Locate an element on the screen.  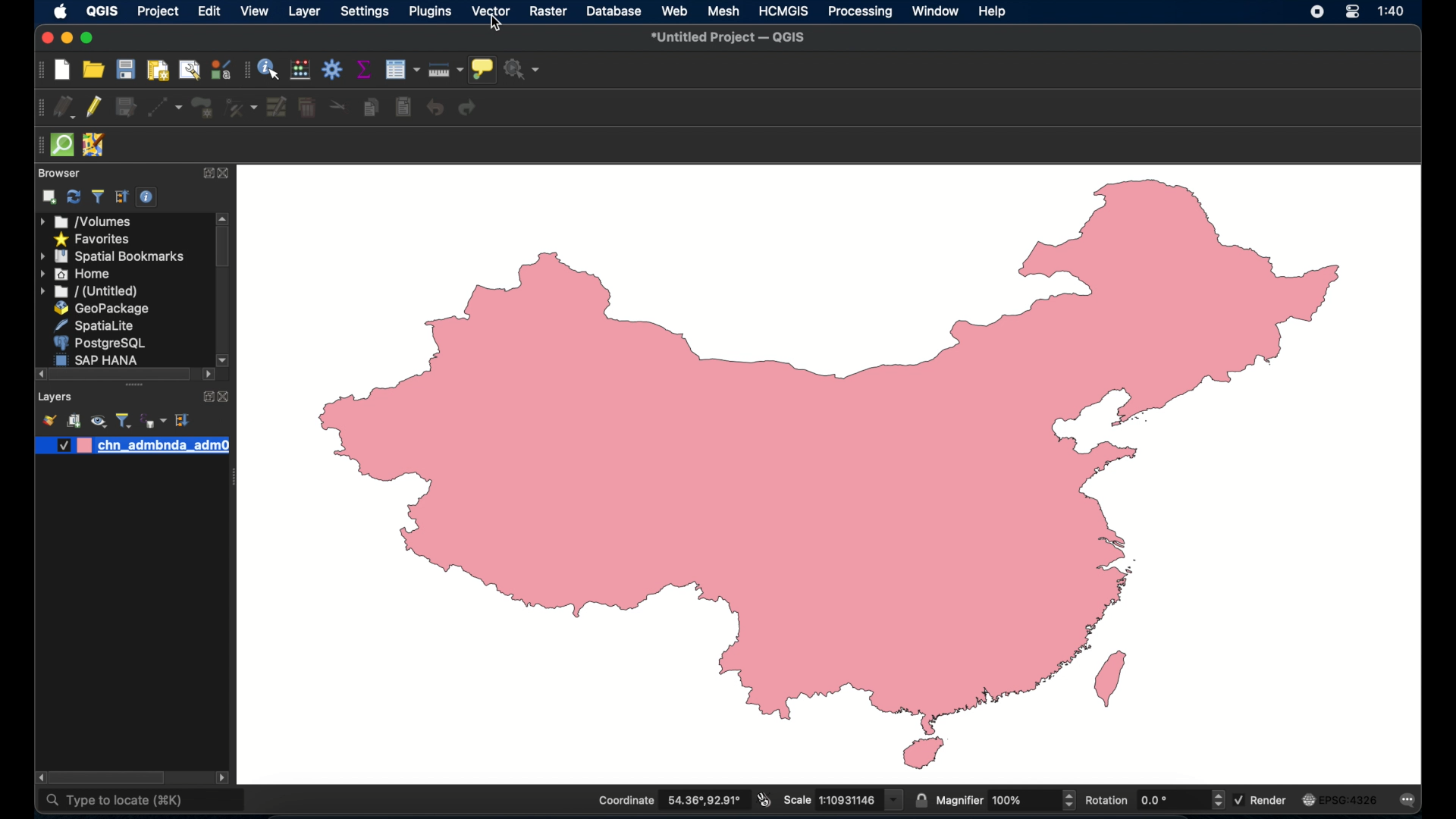
paste features is located at coordinates (405, 108).